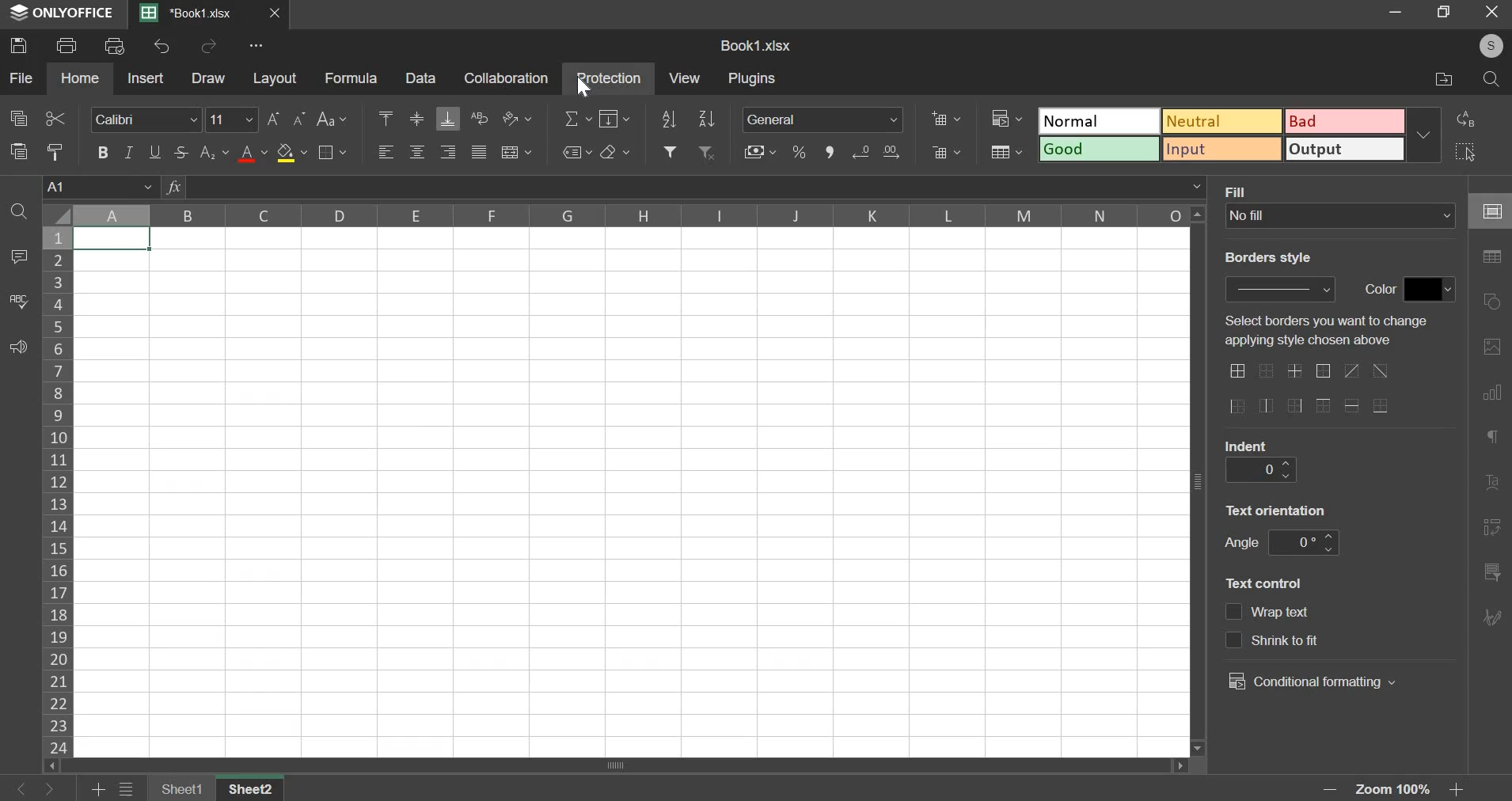 Image resolution: width=1512 pixels, height=801 pixels. What do you see at coordinates (1486, 47) in the screenshot?
I see `Profile Pic` at bounding box center [1486, 47].